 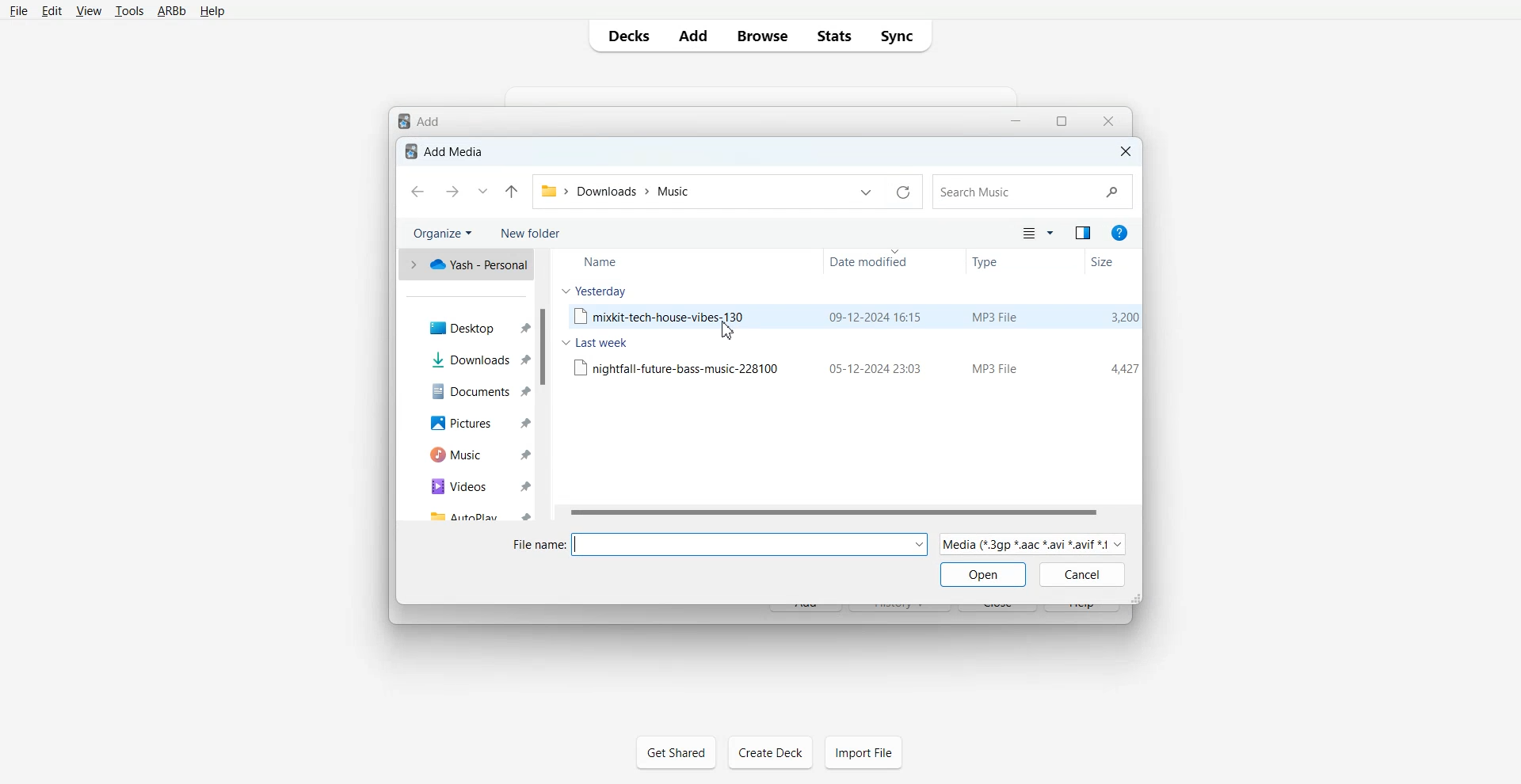 What do you see at coordinates (626, 35) in the screenshot?
I see `Decks` at bounding box center [626, 35].